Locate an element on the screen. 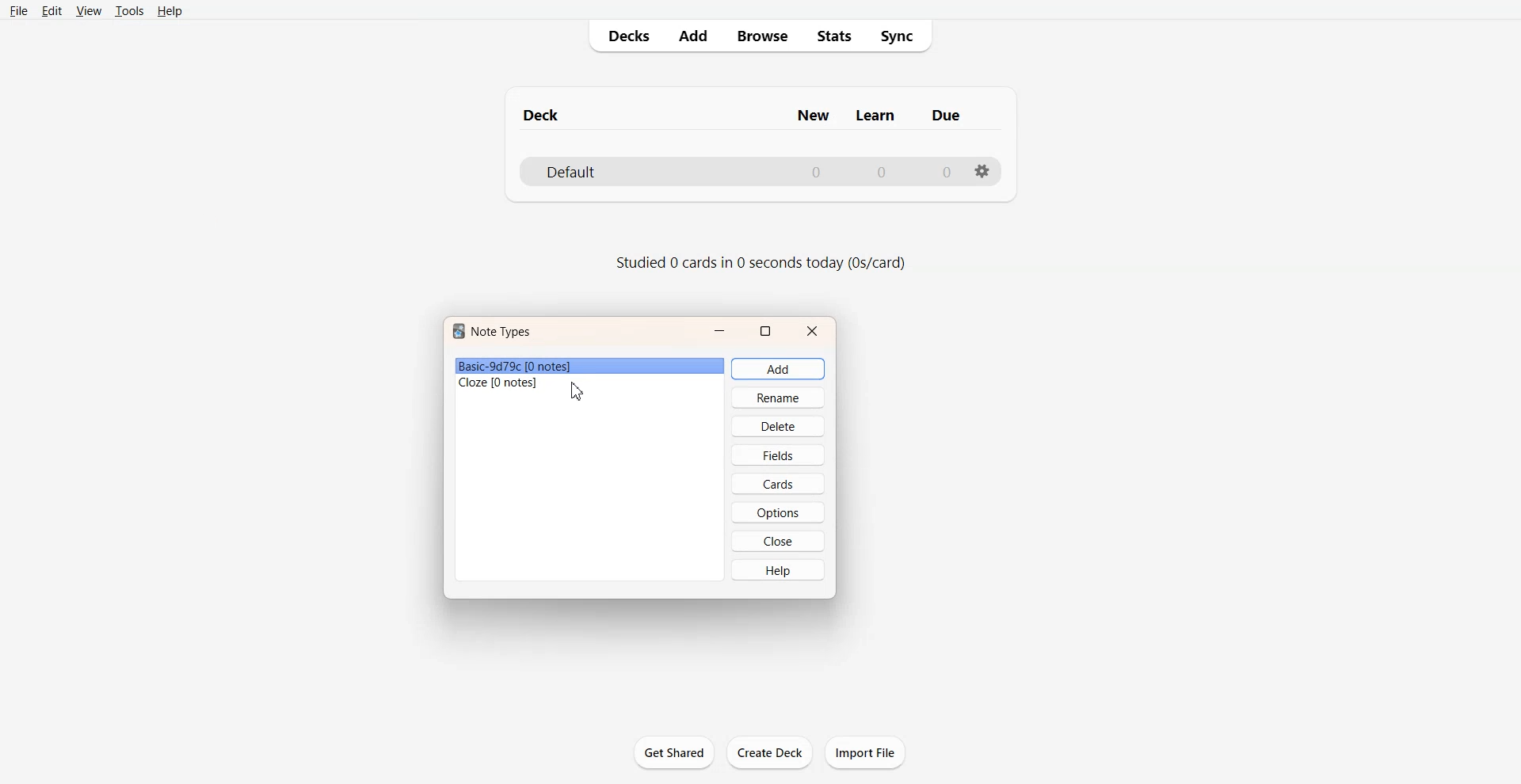 The image size is (1521, 784). Help is located at coordinates (169, 10).